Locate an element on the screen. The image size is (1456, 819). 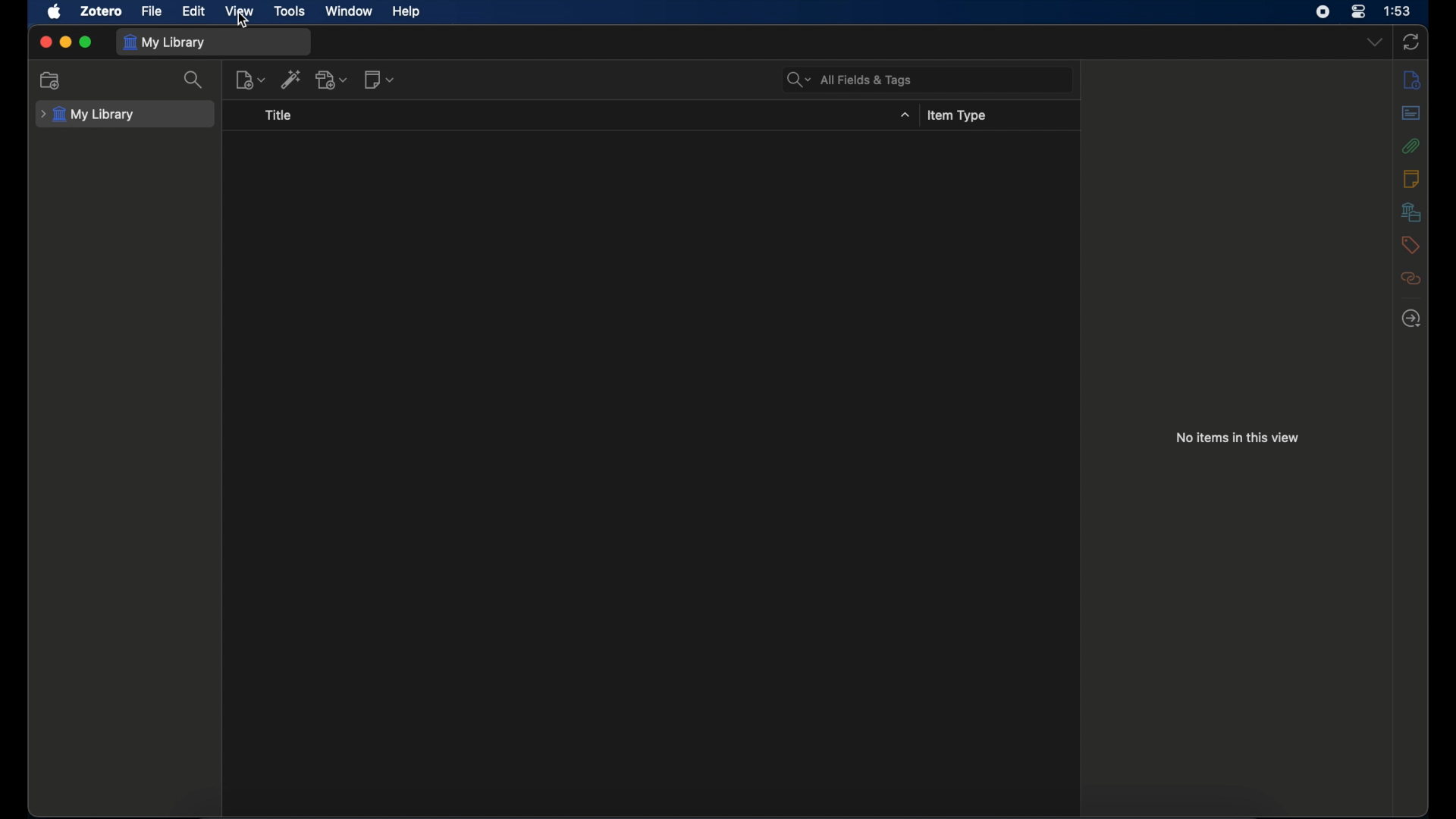
no items in this view is located at coordinates (1238, 438).